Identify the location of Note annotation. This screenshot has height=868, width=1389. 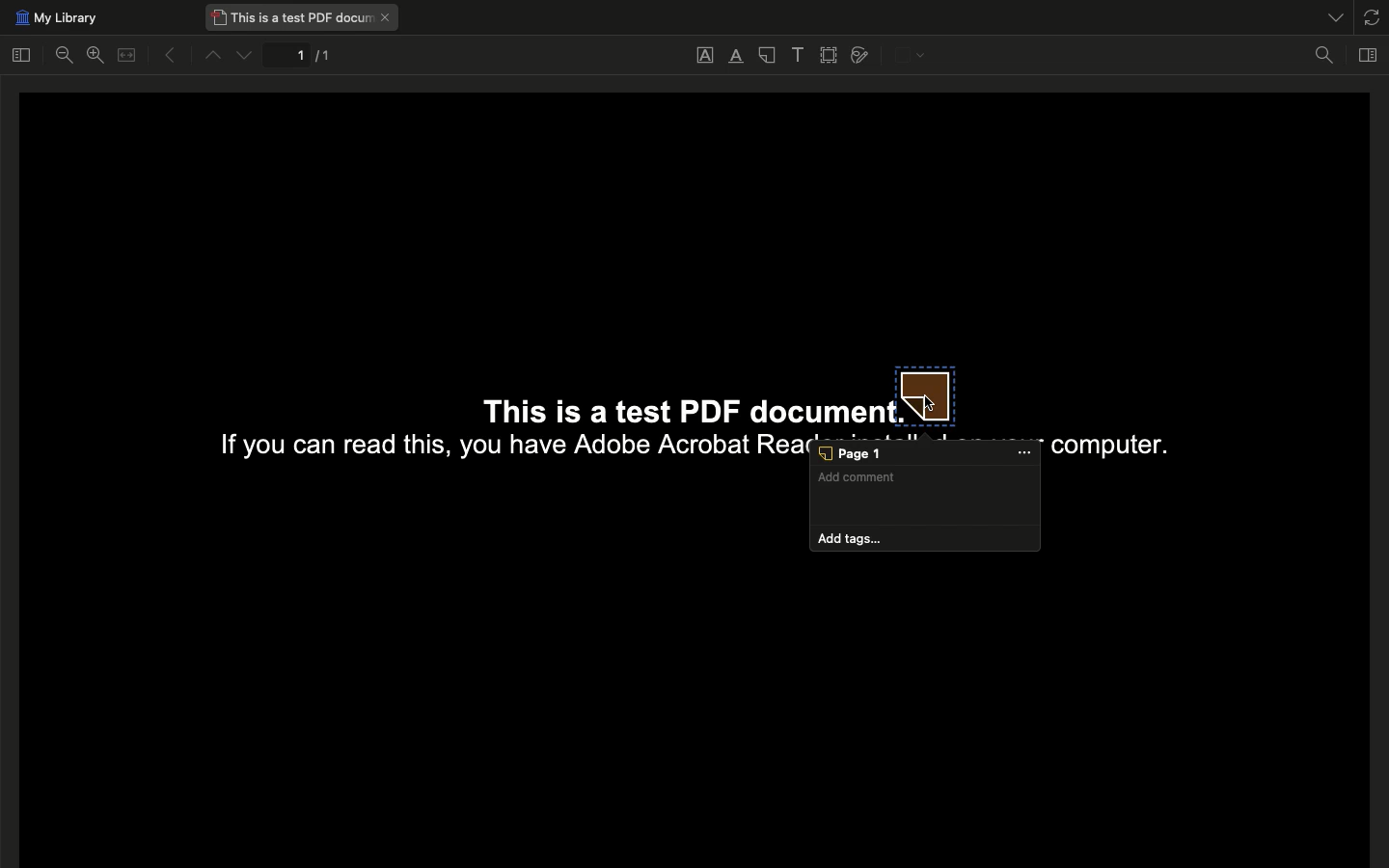
(766, 58).